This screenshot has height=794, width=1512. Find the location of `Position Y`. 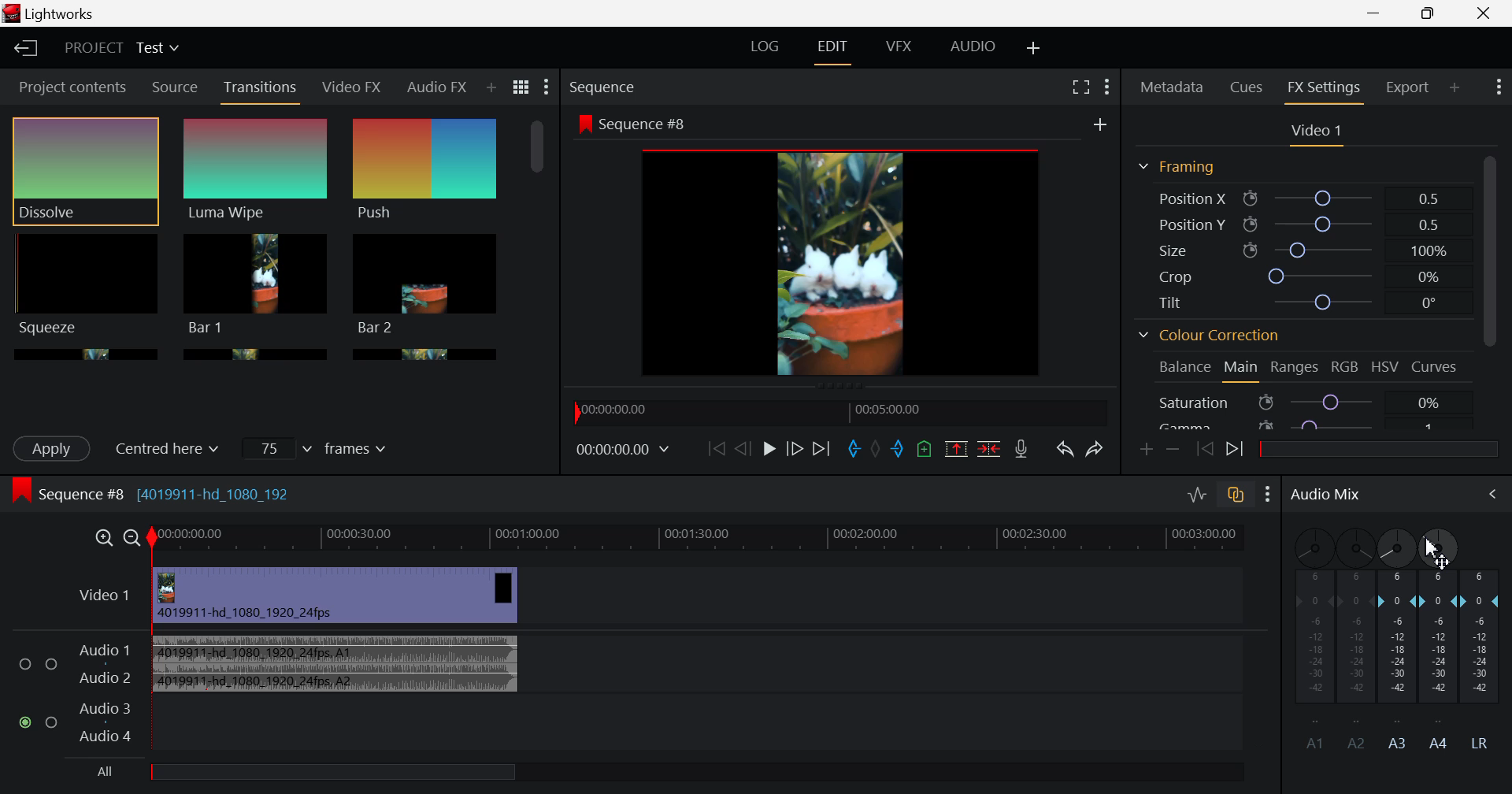

Position Y is located at coordinates (1301, 221).